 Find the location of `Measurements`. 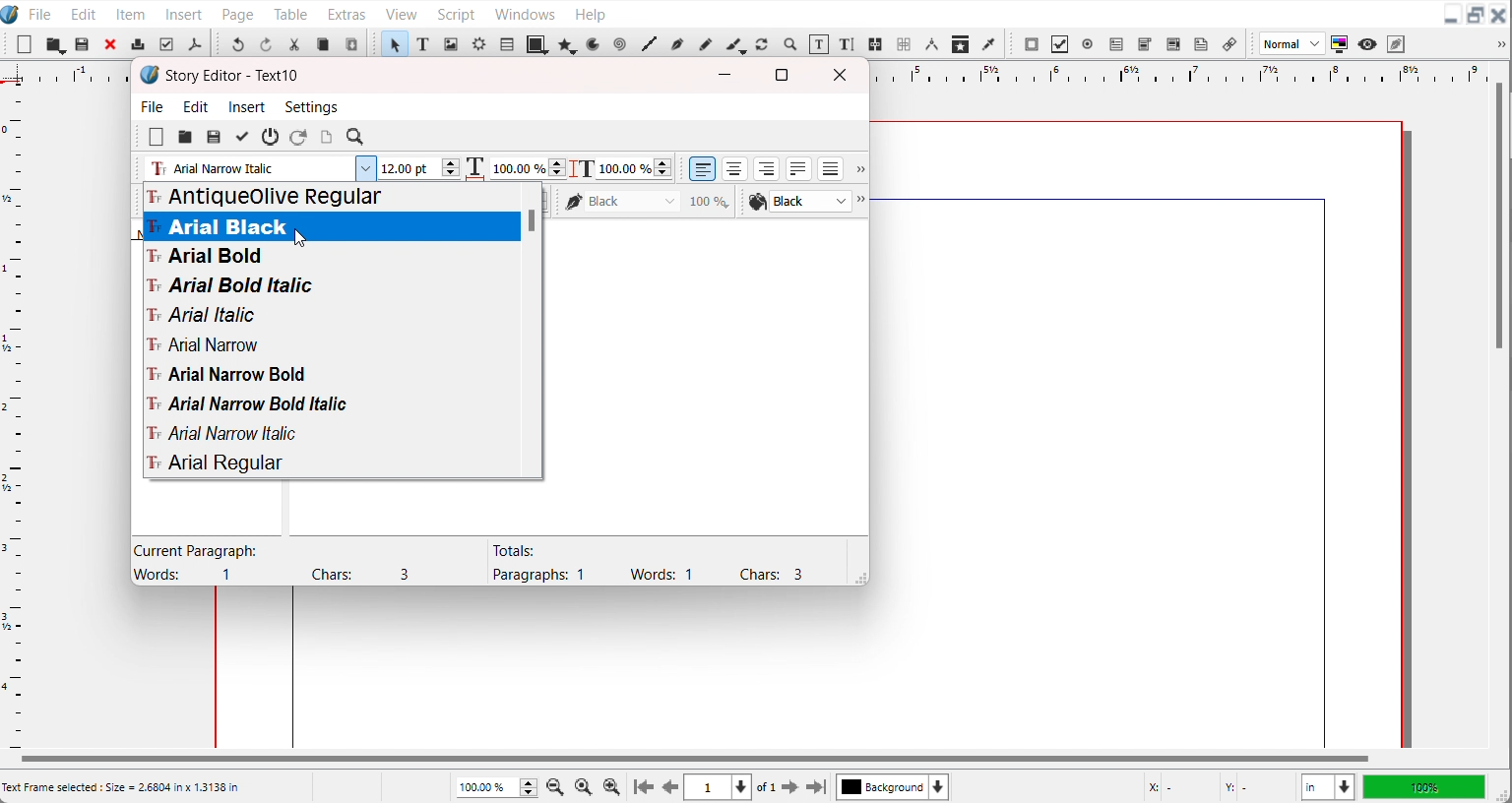

Measurements is located at coordinates (931, 44).